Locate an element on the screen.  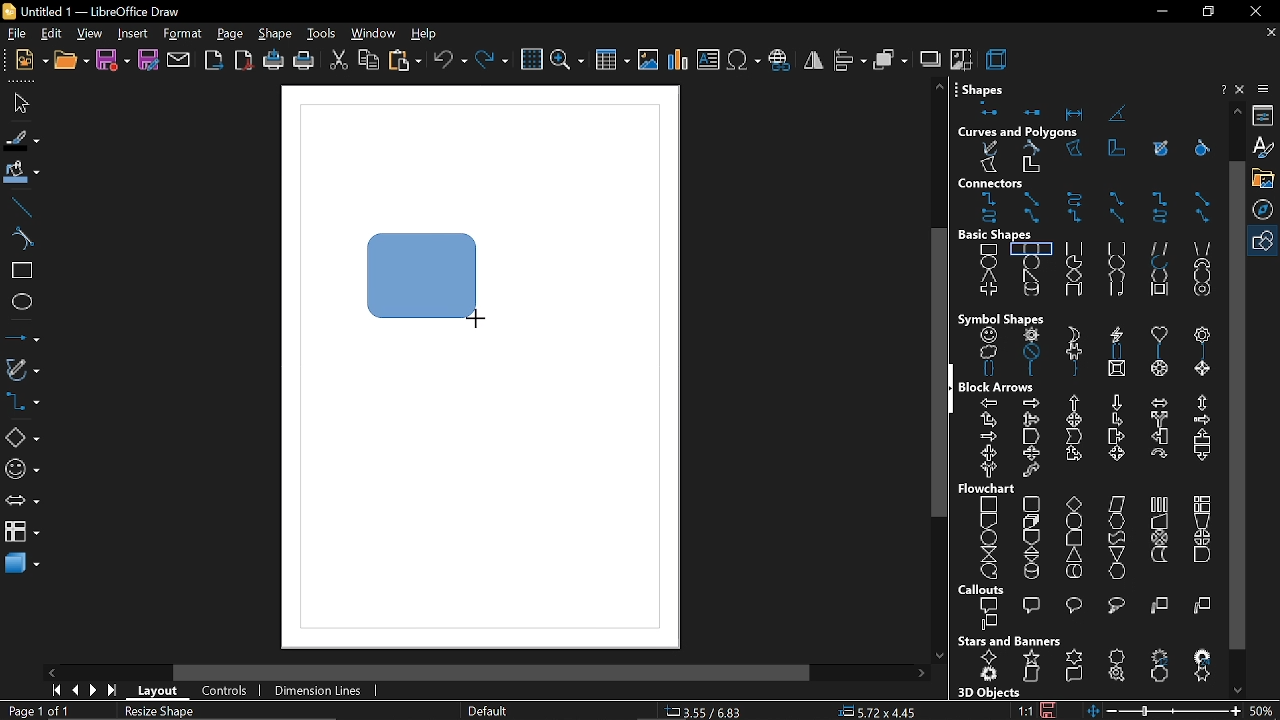
controls is located at coordinates (224, 692).